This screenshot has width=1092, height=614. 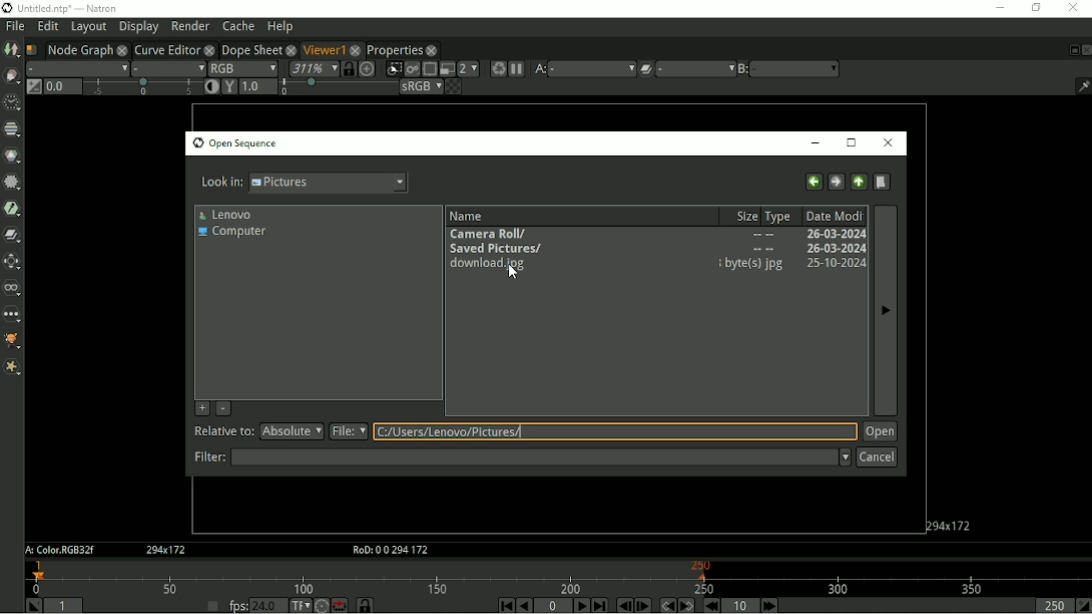 I want to click on A, so click(x=540, y=69).